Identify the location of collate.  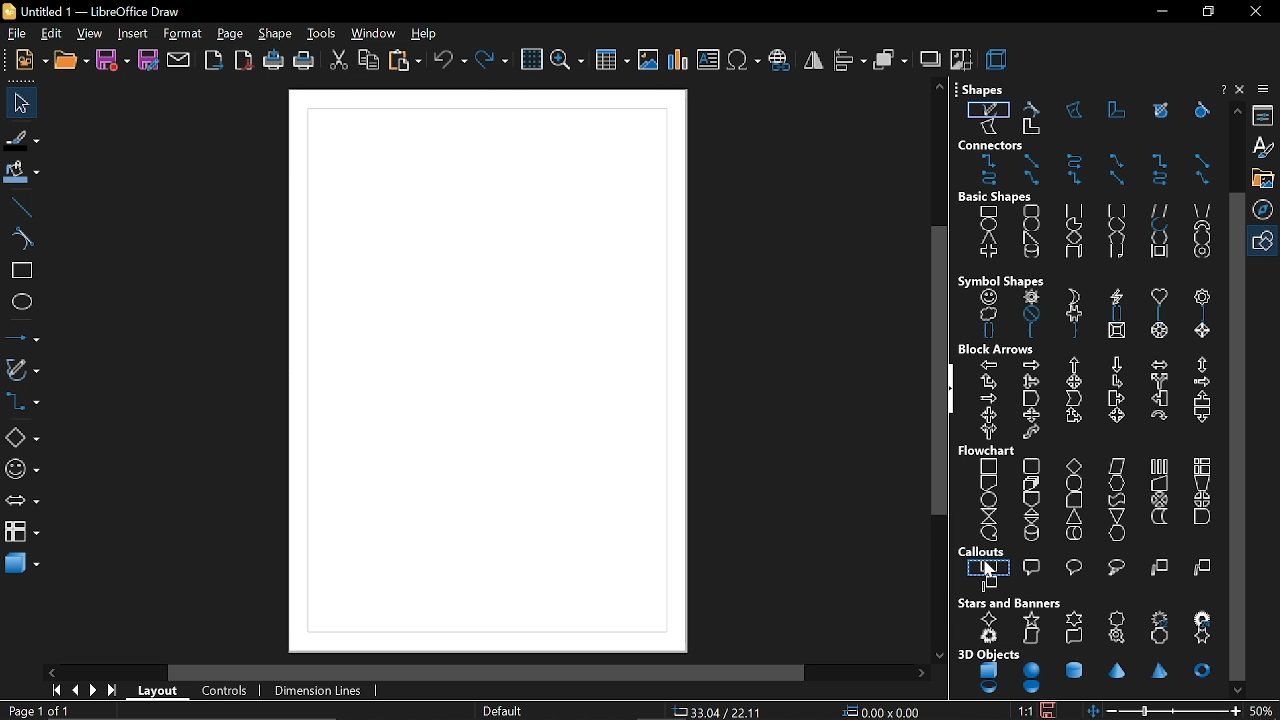
(986, 516).